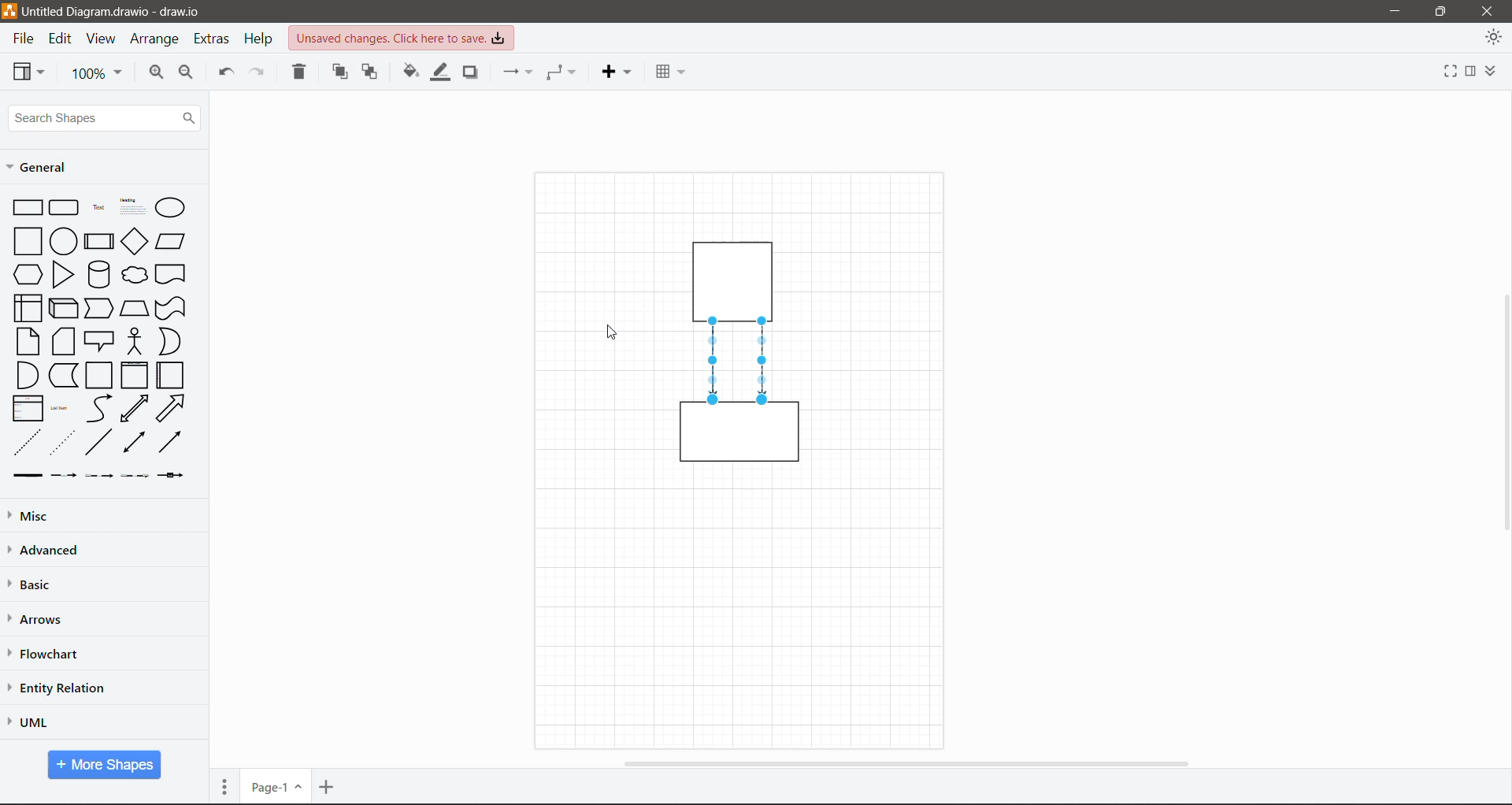 The image size is (1512, 805). What do you see at coordinates (120, 12) in the screenshot?
I see `Untitled Diagram.drawio - draw.io` at bounding box center [120, 12].